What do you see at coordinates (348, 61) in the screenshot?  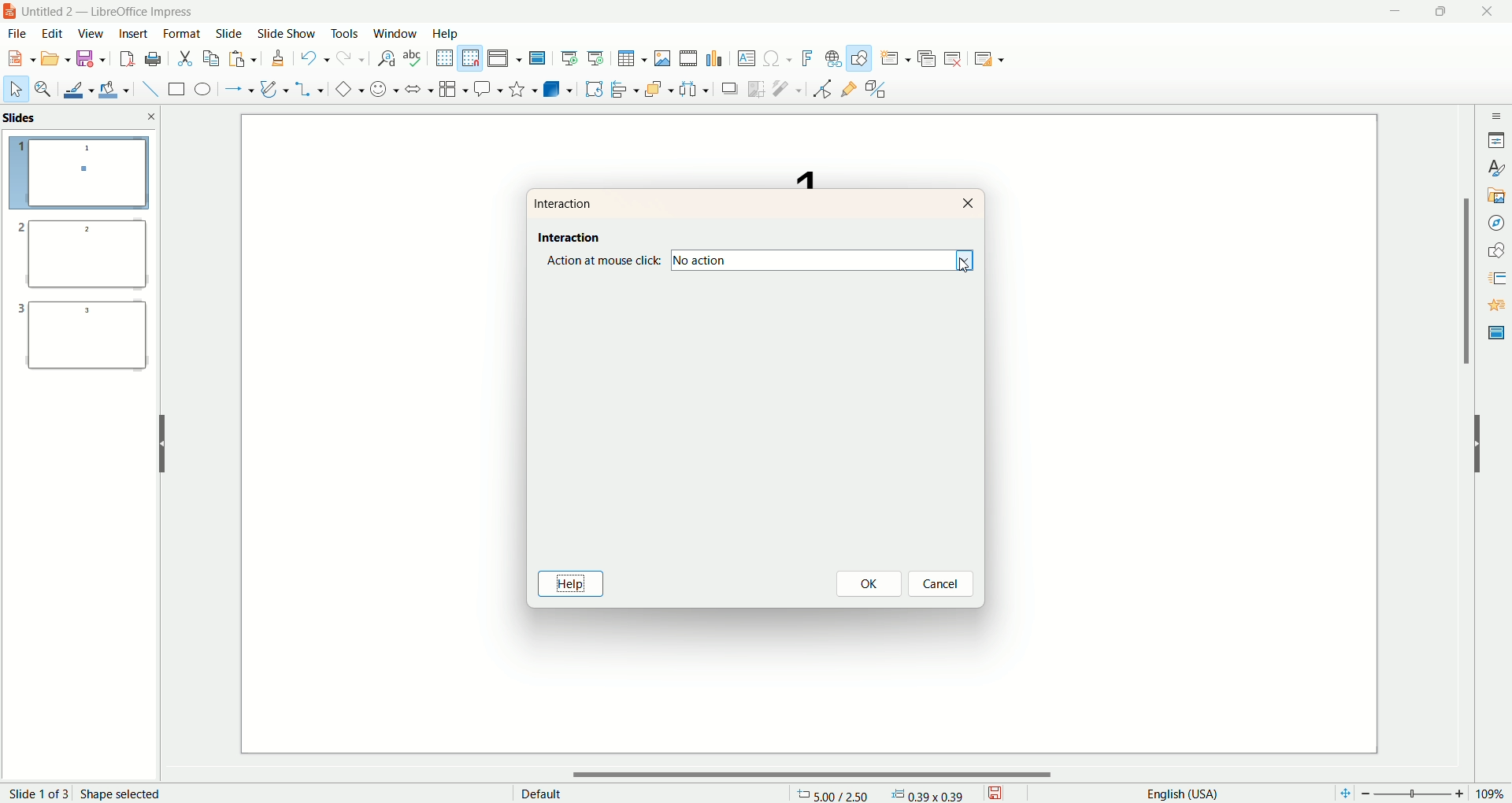 I see `redo` at bounding box center [348, 61].